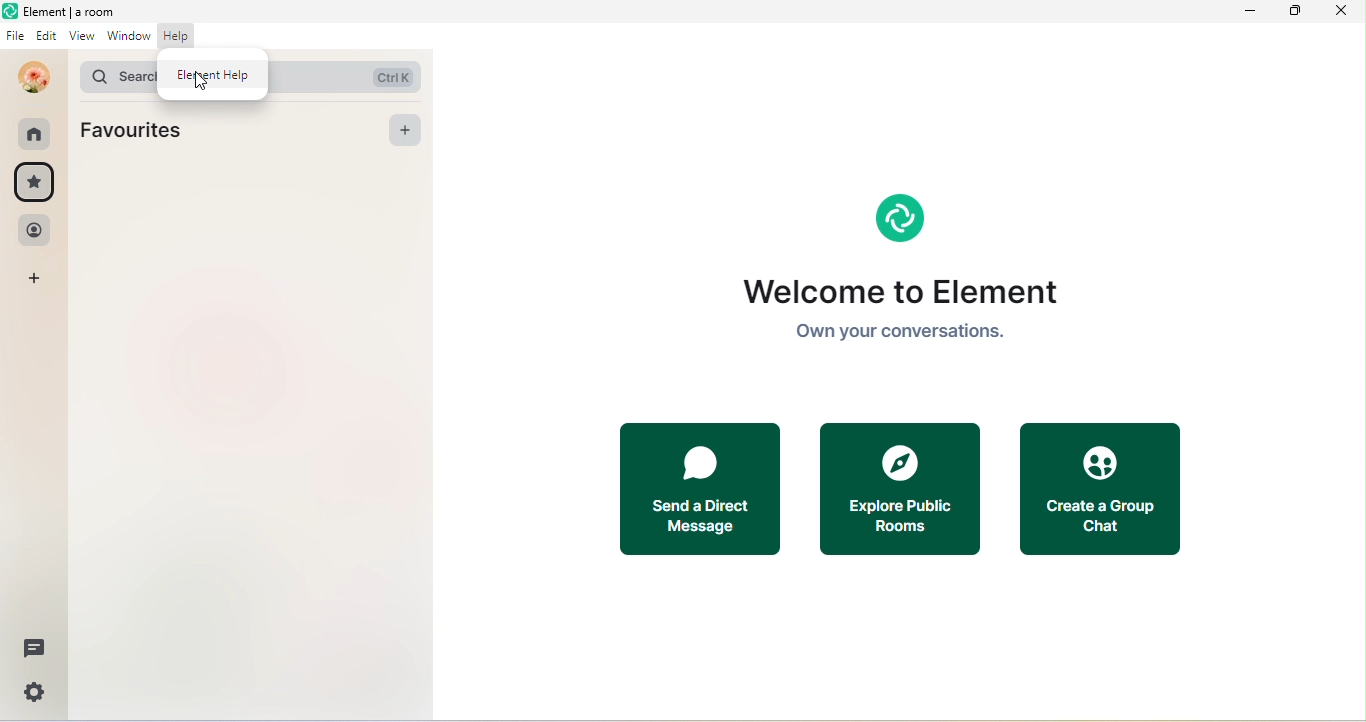  Describe the element at coordinates (1253, 11) in the screenshot. I see `minimize` at that location.